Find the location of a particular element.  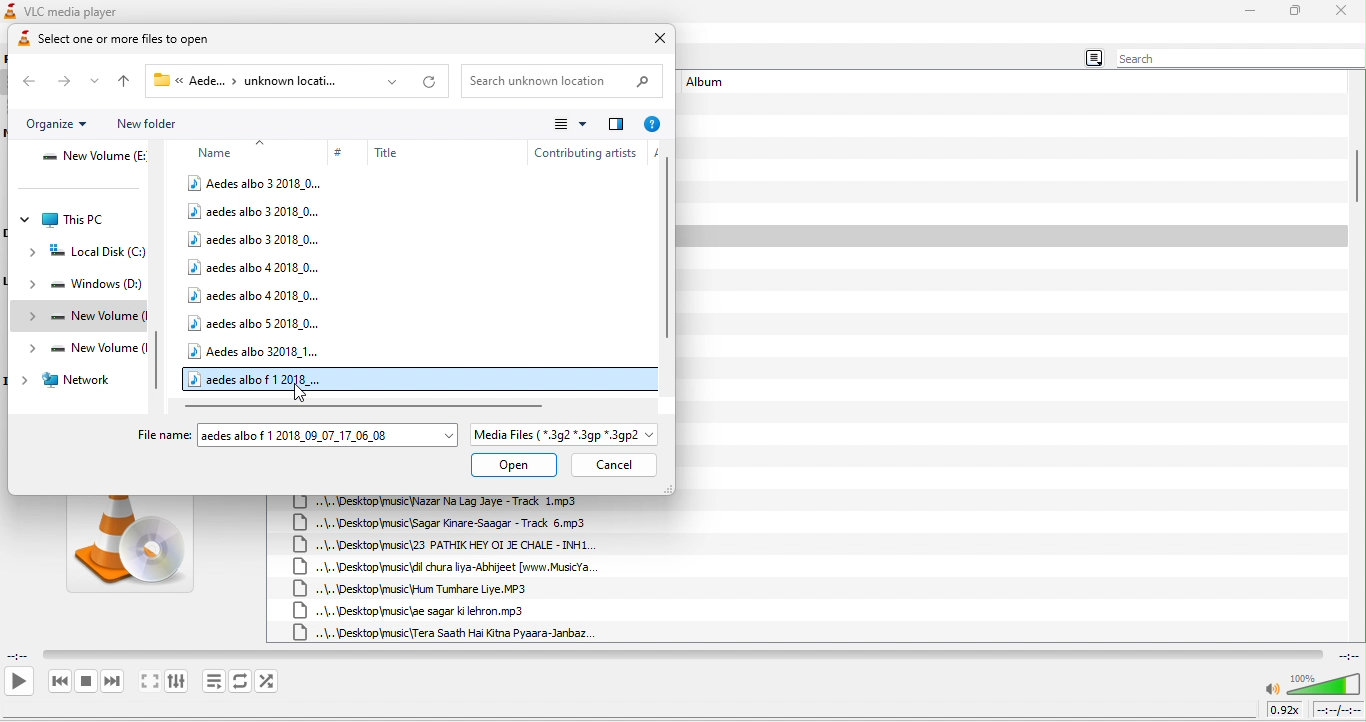

forward is located at coordinates (65, 80).